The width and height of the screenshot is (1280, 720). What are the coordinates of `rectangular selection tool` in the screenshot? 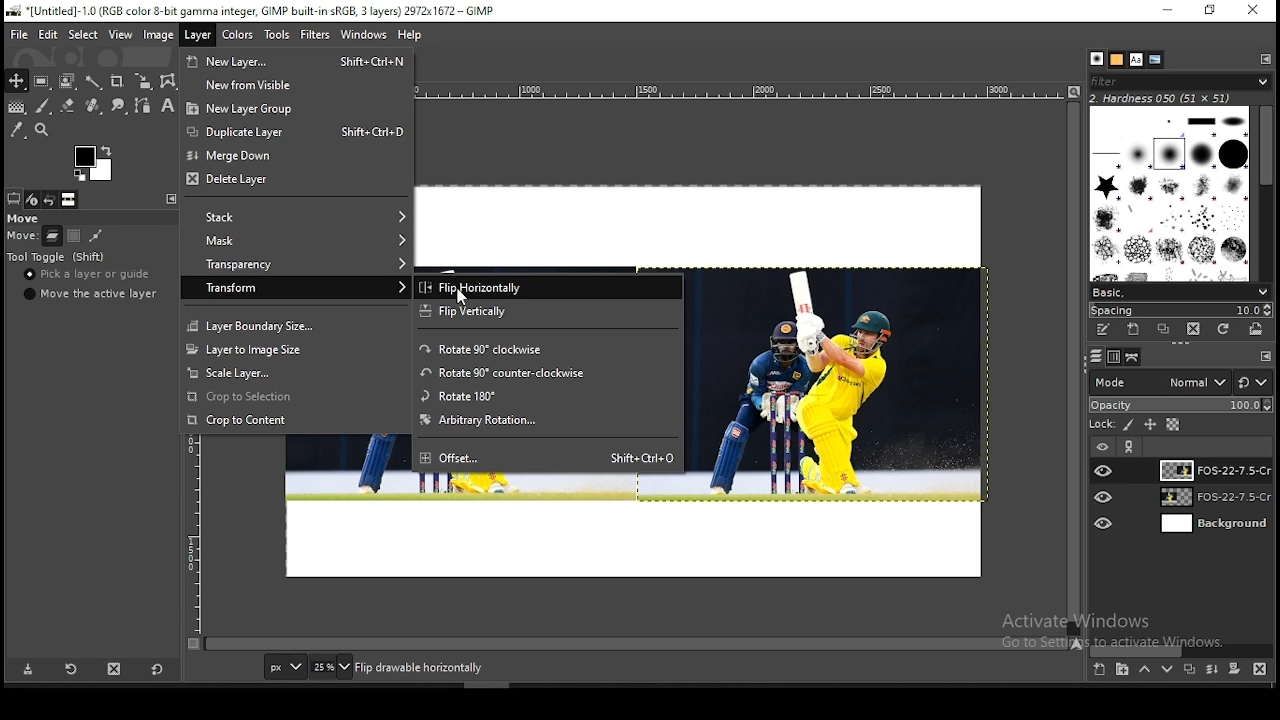 It's located at (40, 81).